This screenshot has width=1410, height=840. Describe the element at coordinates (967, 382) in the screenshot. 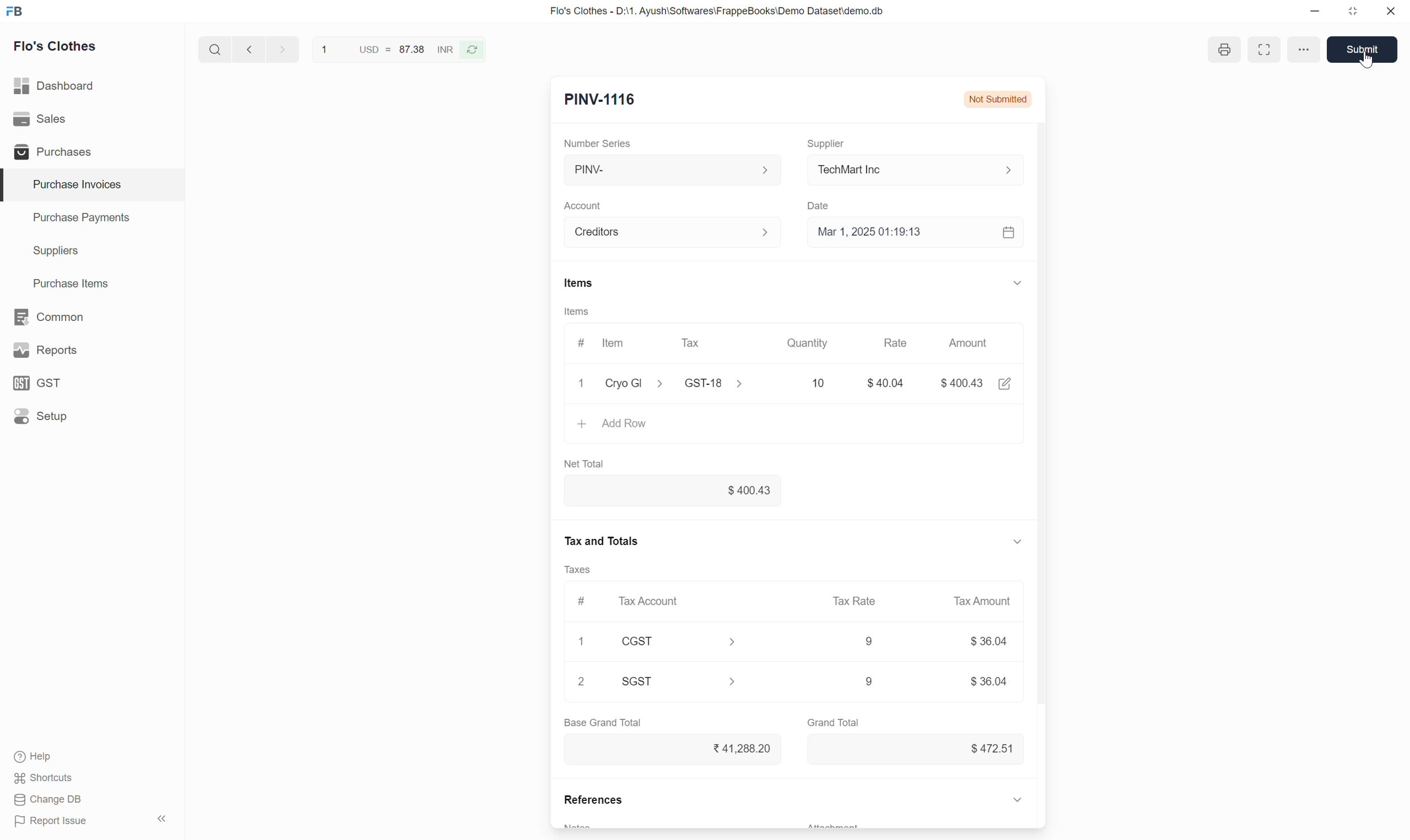

I see `$40.04` at that location.